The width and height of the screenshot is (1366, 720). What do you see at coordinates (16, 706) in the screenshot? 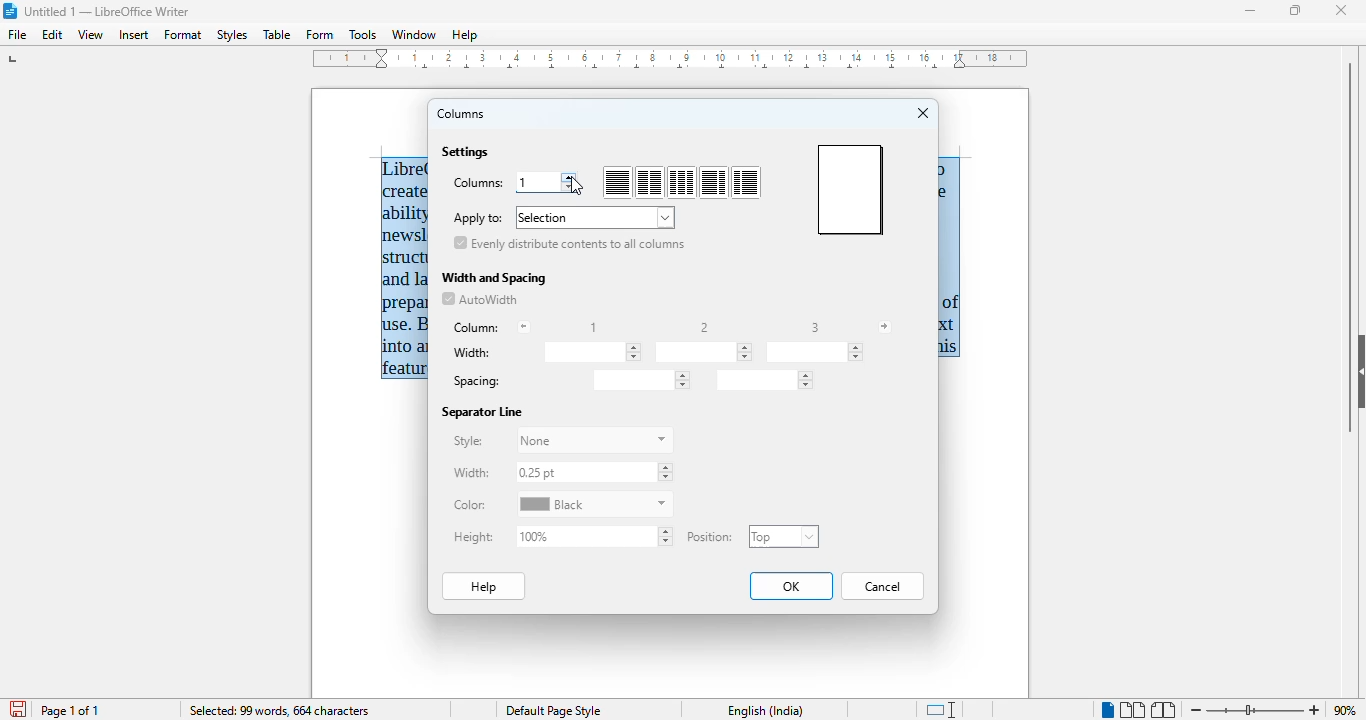
I see `save document` at bounding box center [16, 706].